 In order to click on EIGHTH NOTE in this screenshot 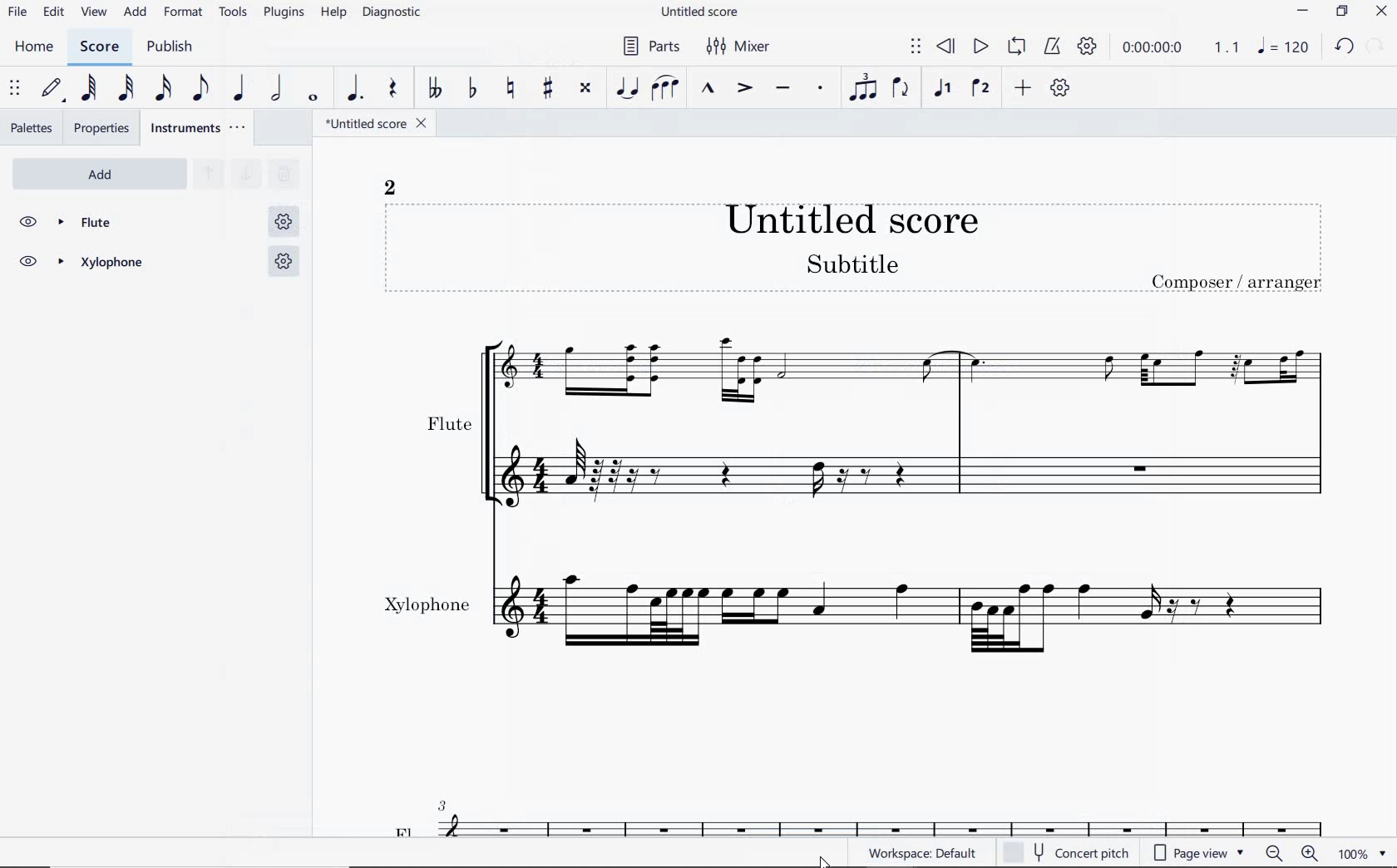, I will do `click(200, 87)`.